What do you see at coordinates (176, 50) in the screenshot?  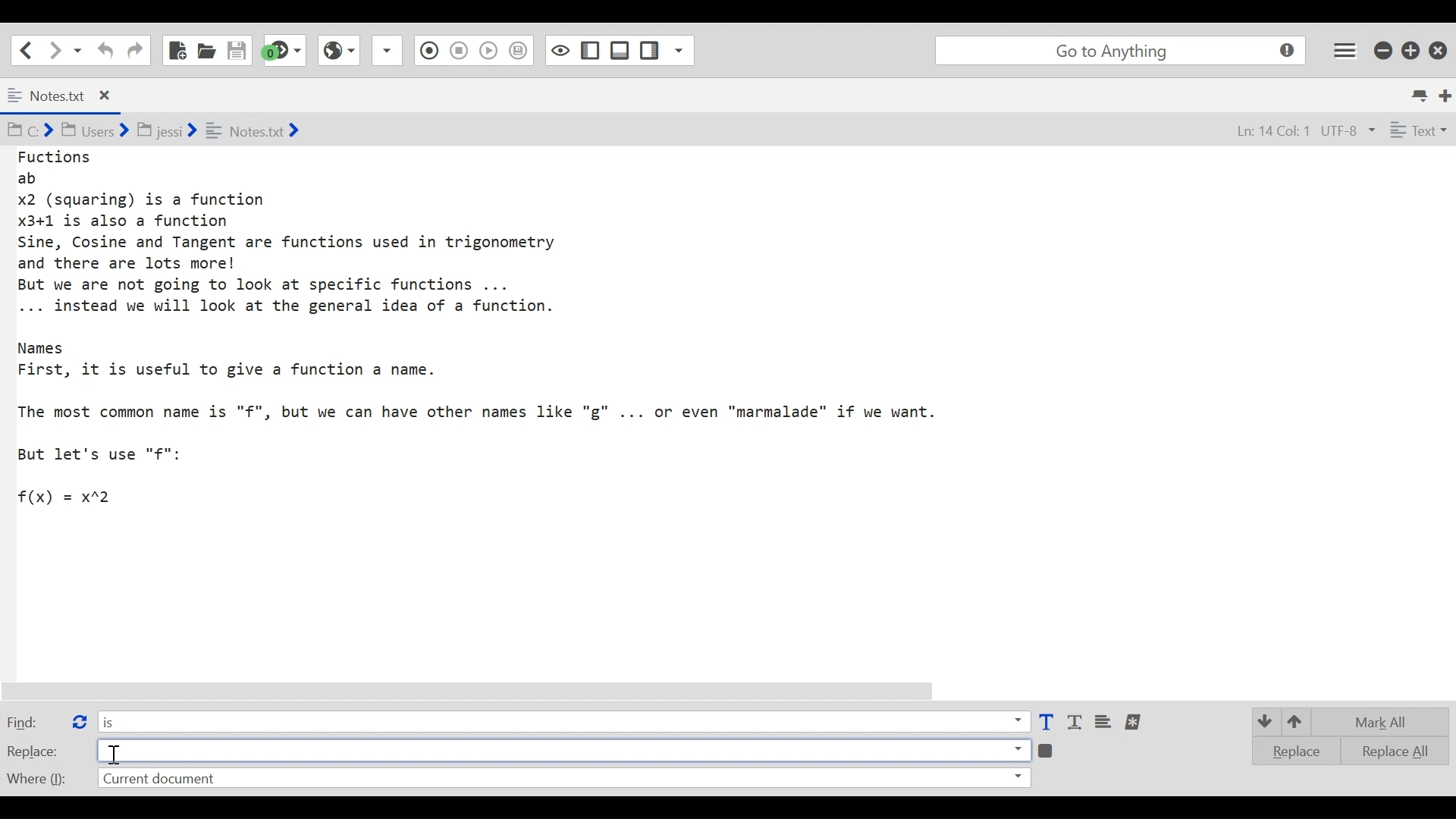 I see `New File` at bounding box center [176, 50].